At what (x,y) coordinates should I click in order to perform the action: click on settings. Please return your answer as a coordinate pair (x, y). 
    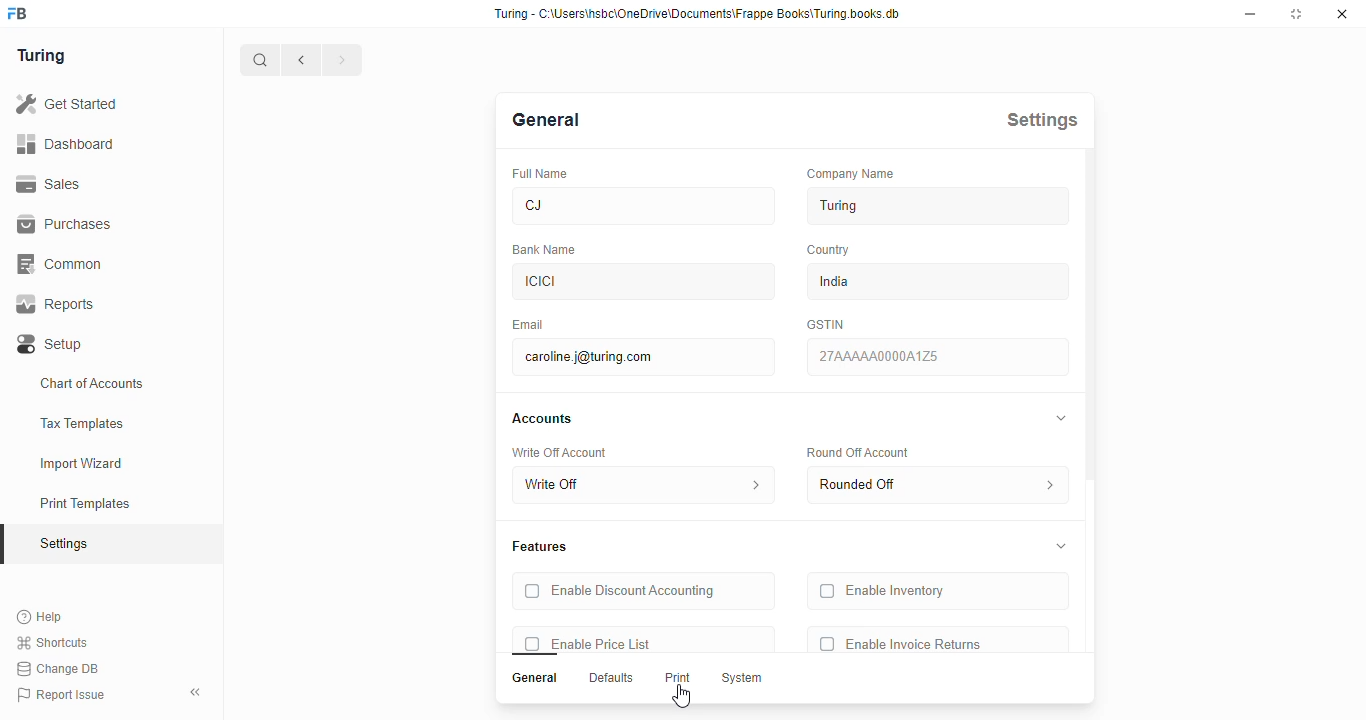
    Looking at the image, I should click on (66, 545).